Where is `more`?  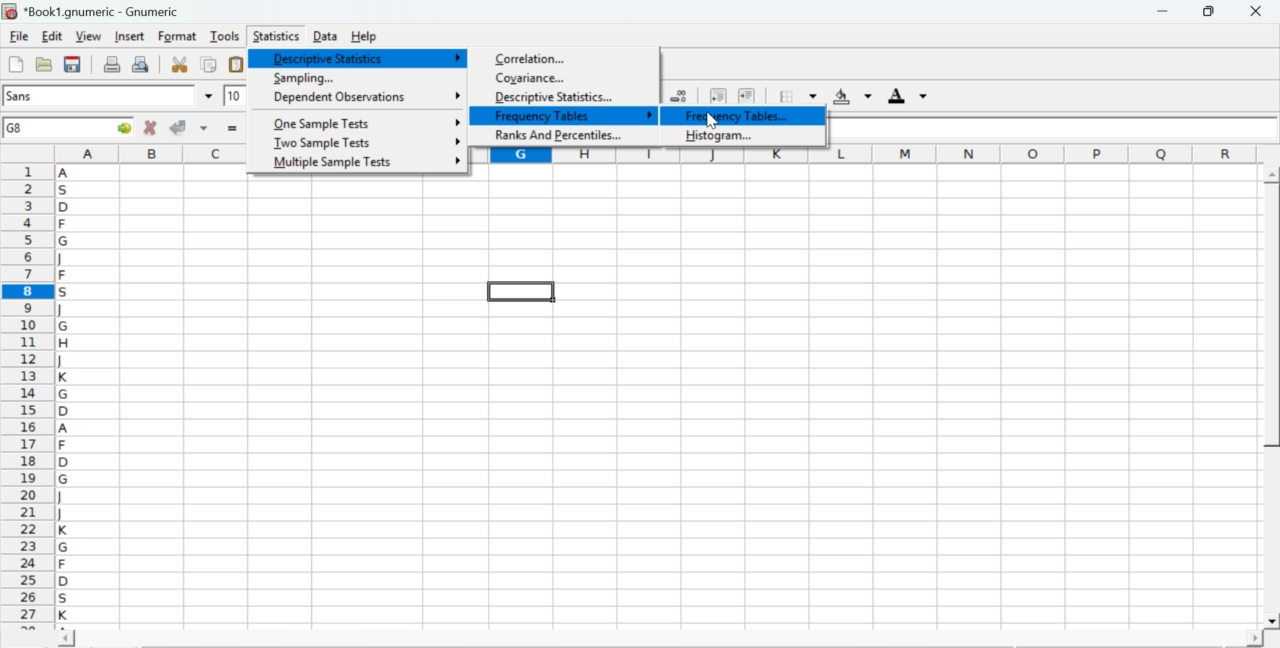
more is located at coordinates (457, 58).